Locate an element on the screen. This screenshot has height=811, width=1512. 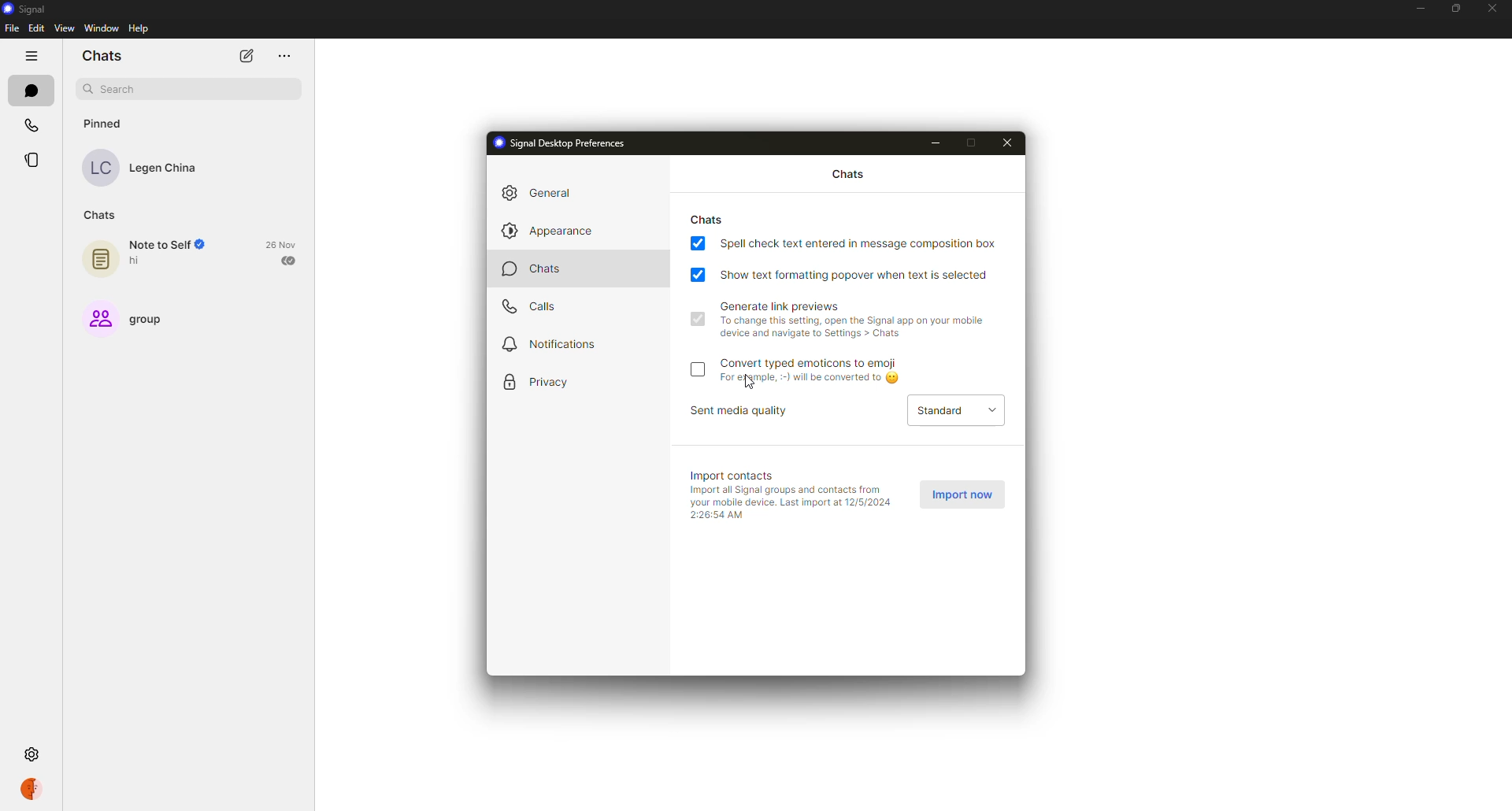
note to self is located at coordinates (157, 255).